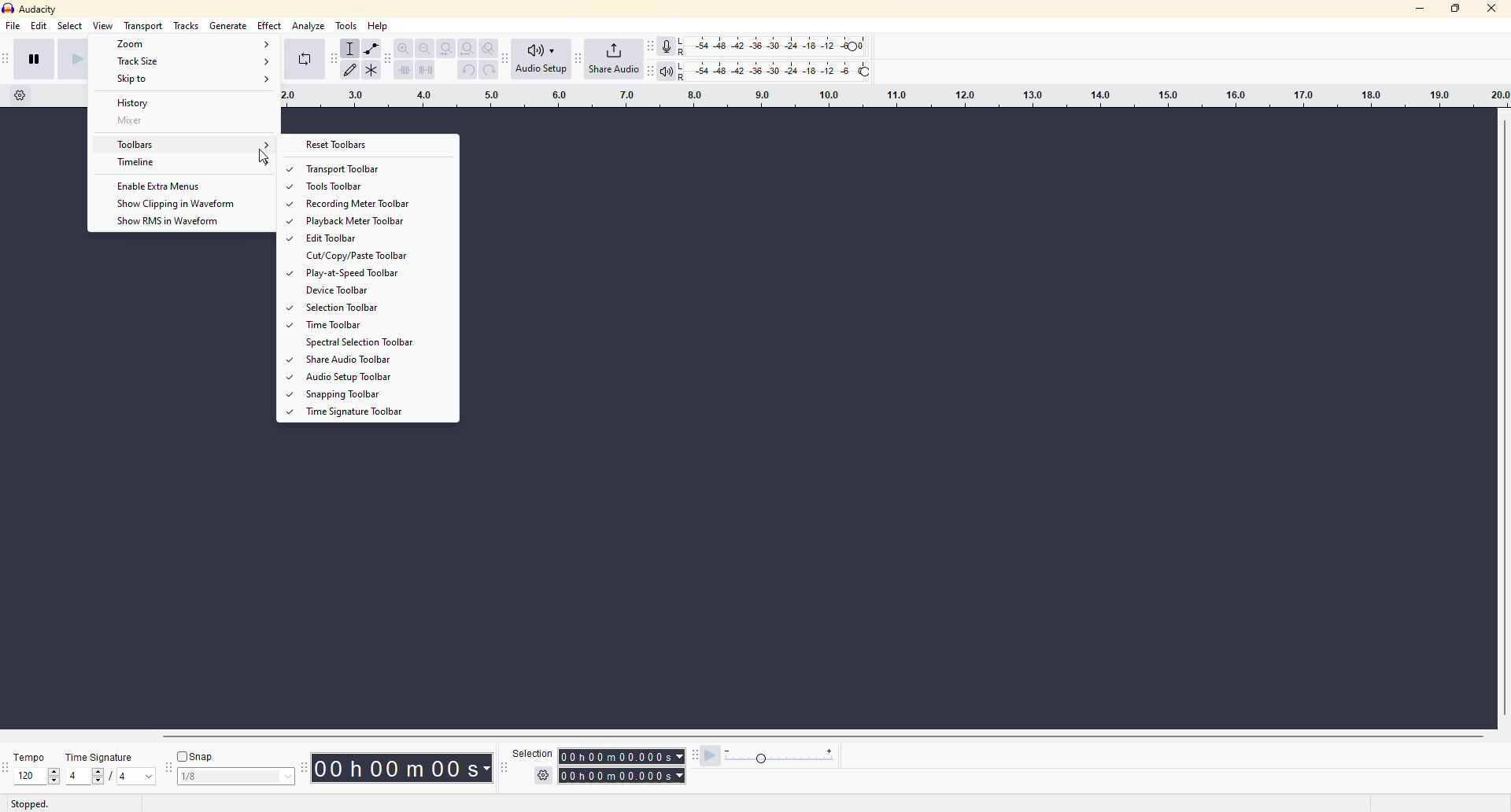  I want to click on Timeline, so click(194, 163).